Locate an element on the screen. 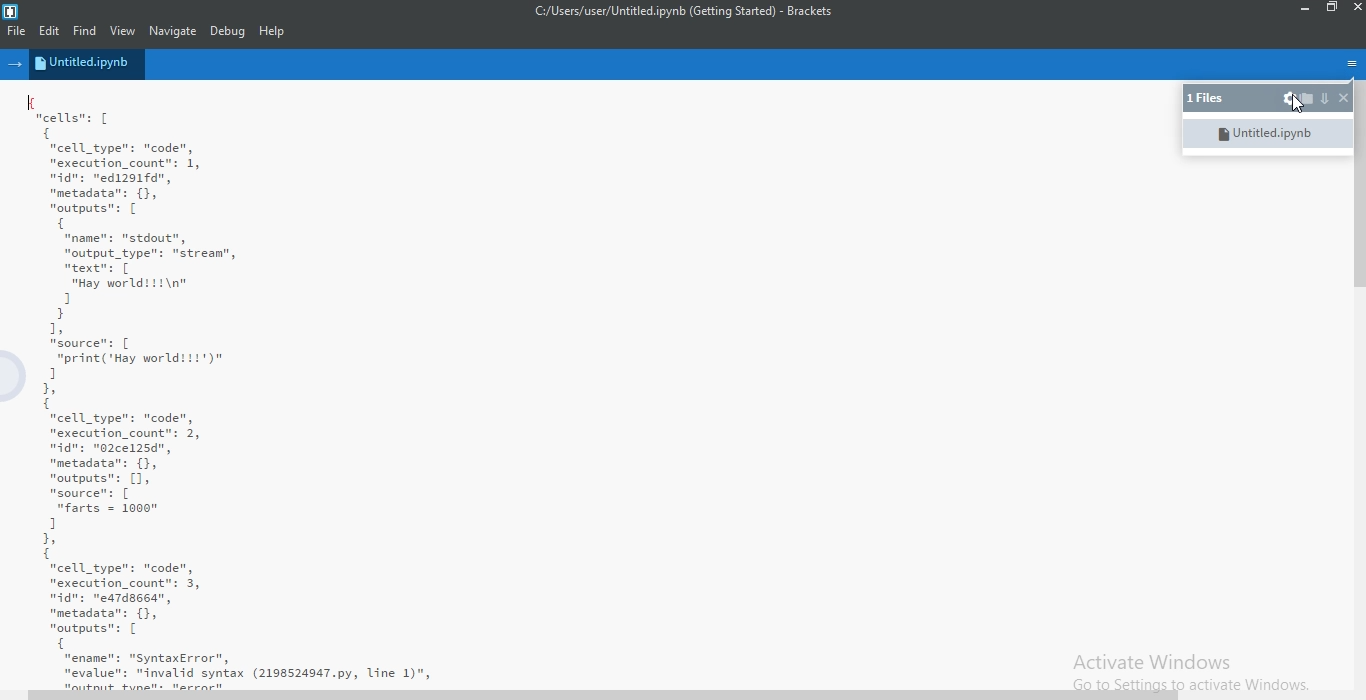 The image size is (1366, 700). restore is located at coordinates (1331, 10).